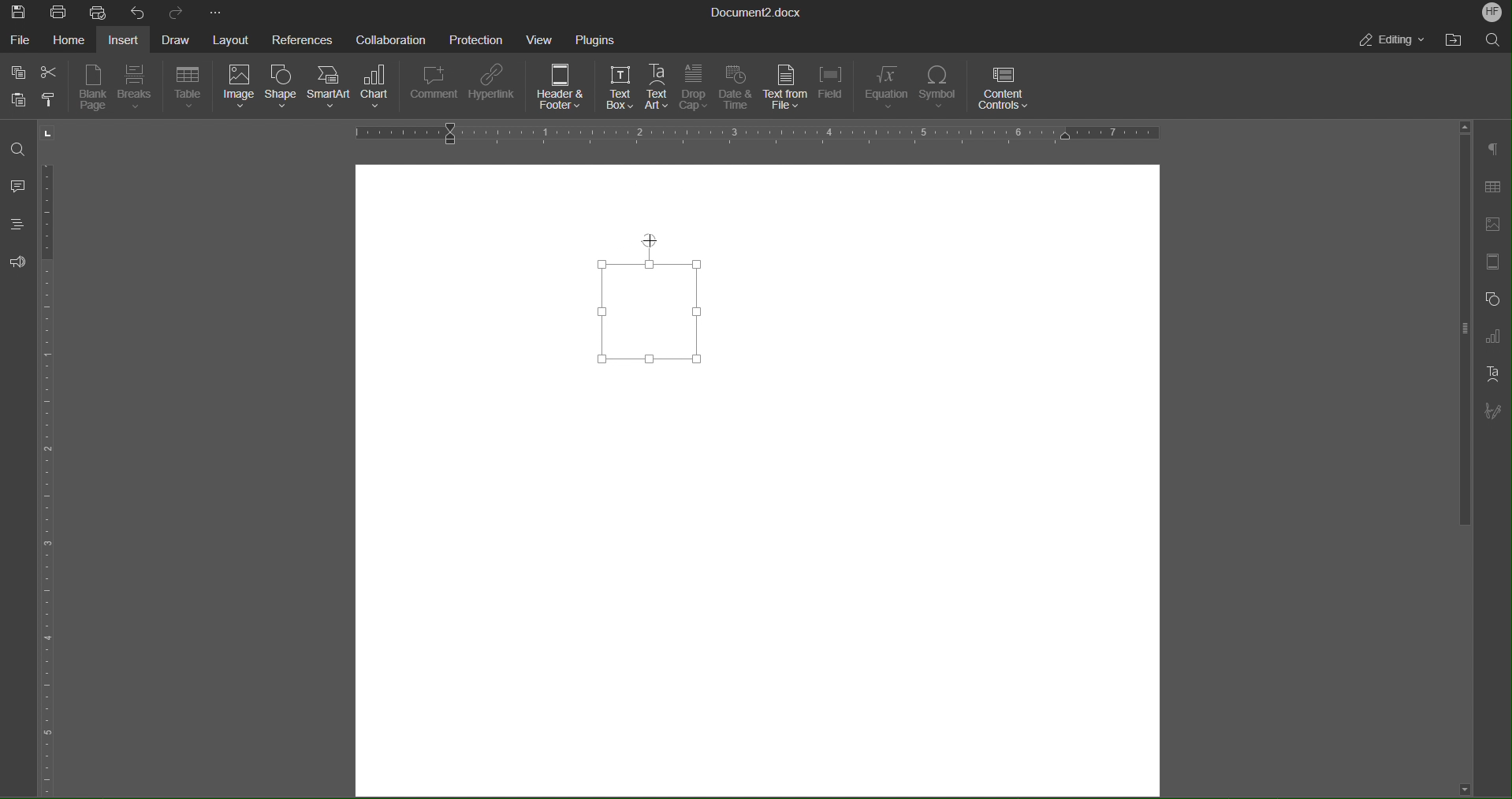  Describe the element at coordinates (136, 12) in the screenshot. I see `Undo` at that location.